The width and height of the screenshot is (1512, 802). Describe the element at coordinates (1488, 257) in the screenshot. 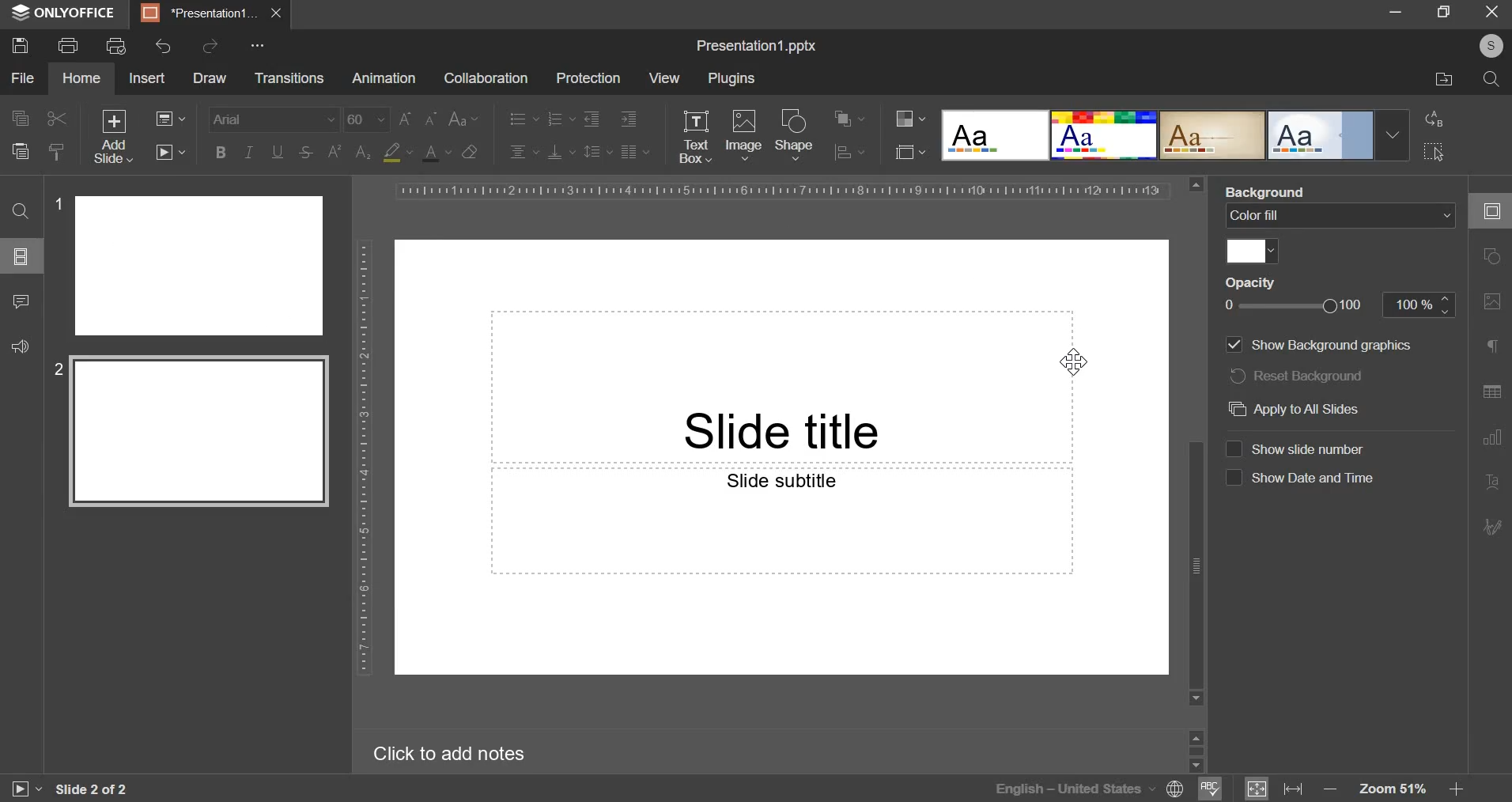

I see `shape settings` at that location.